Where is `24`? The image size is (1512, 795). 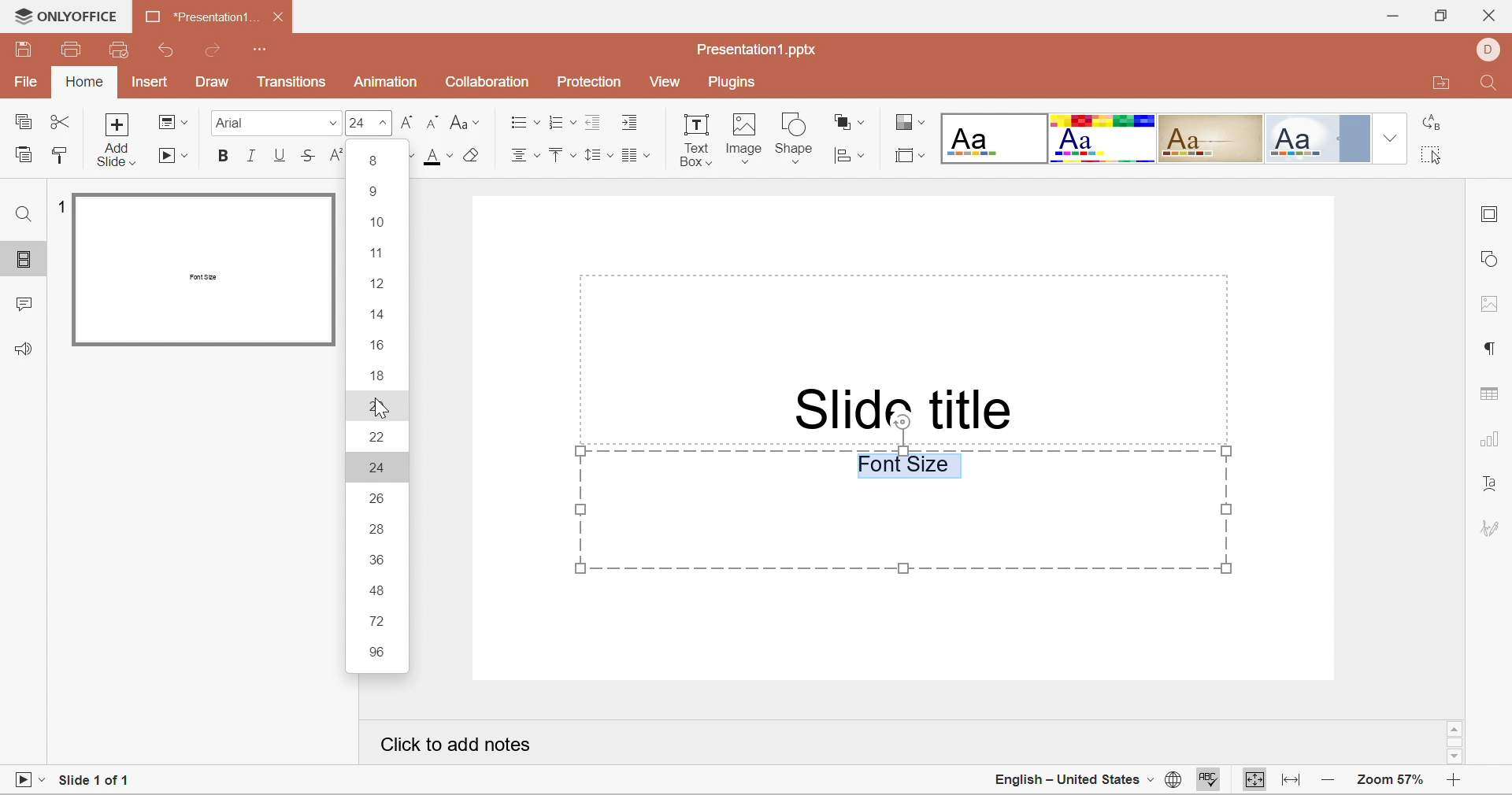 24 is located at coordinates (357, 124).